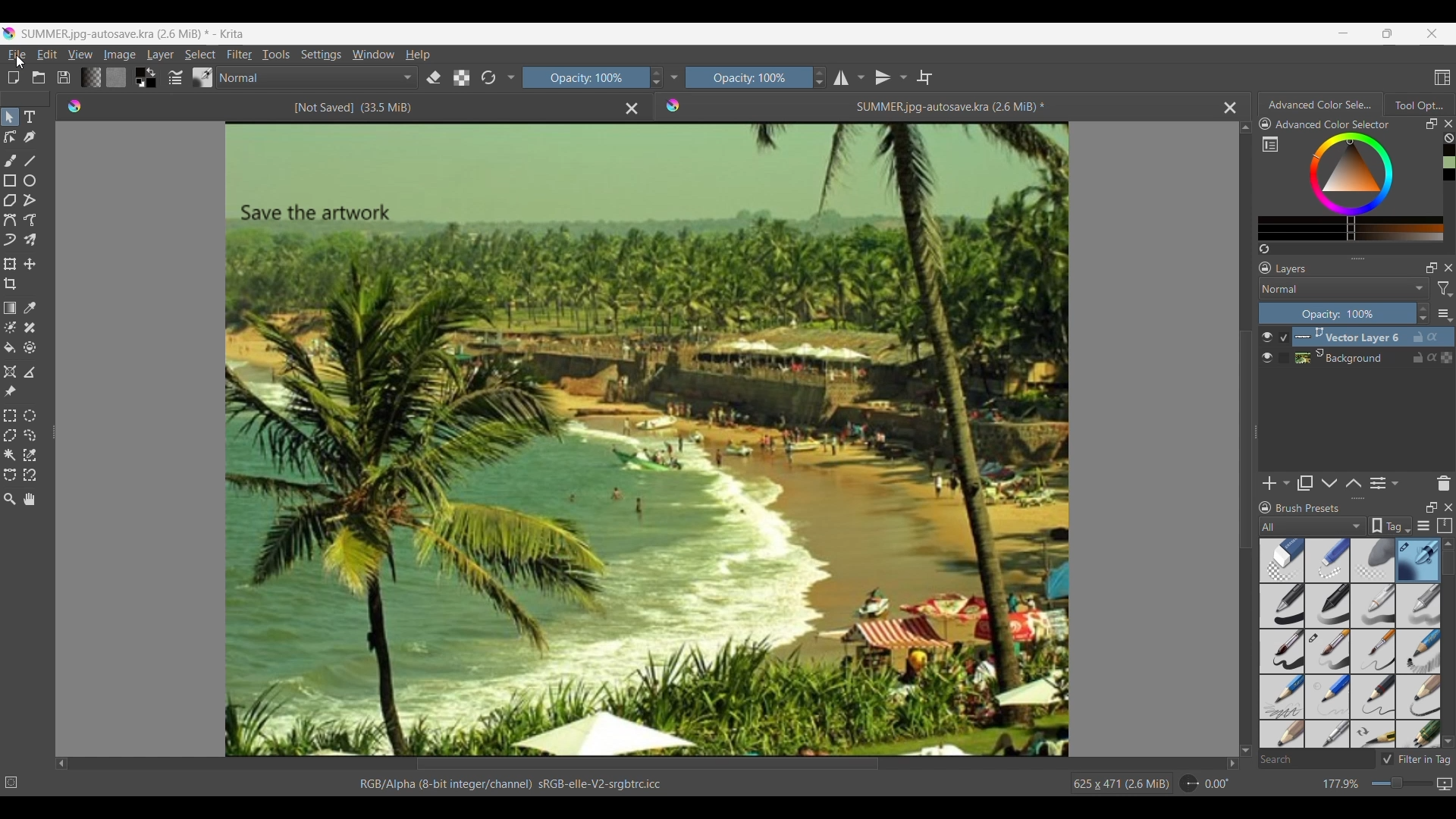  What do you see at coordinates (1304, 483) in the screenshot?
I see `Duplicate layer/mask` at bounding box center [1304, 483].